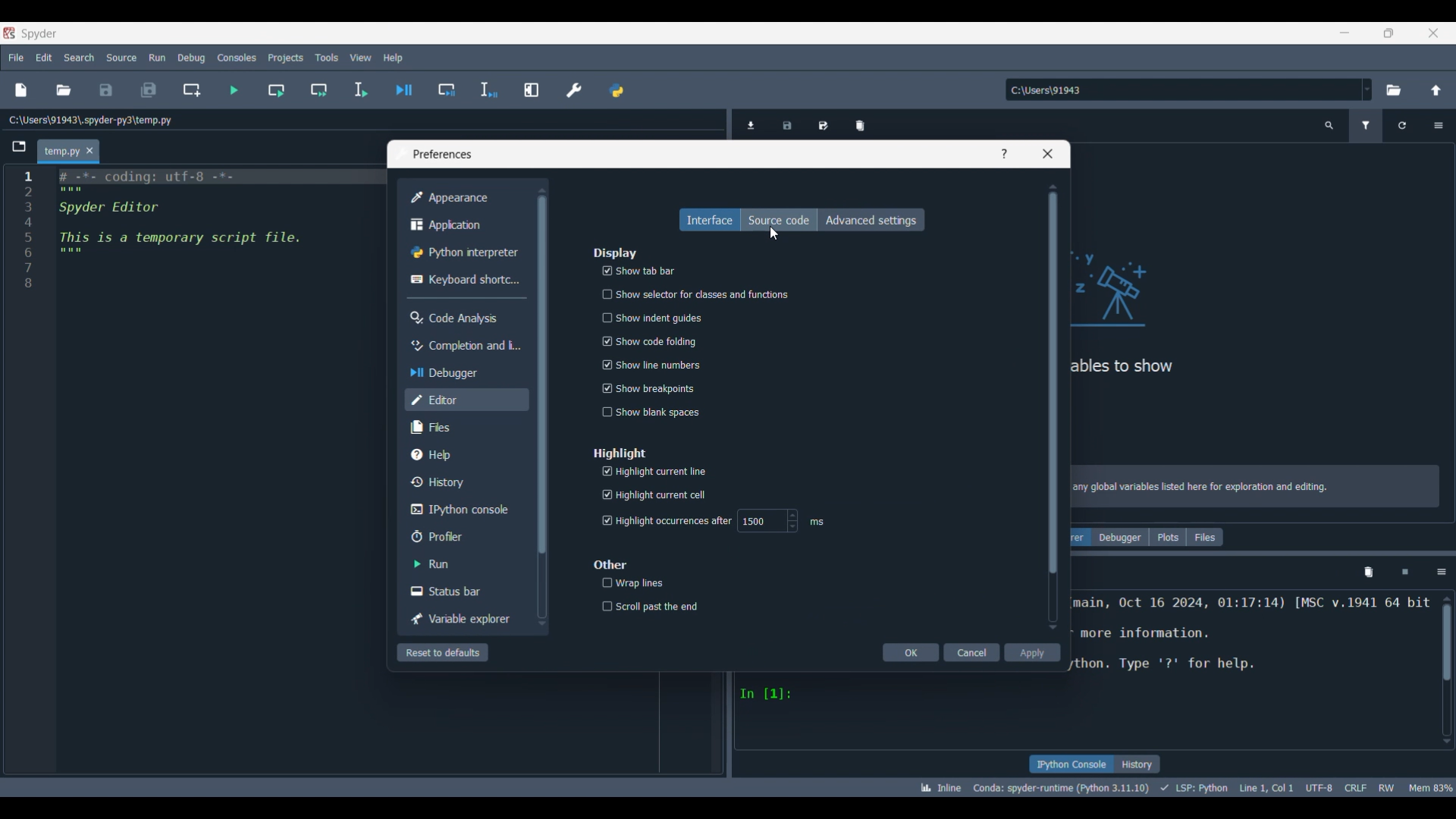 The width and height of the screenshot is (1456, 819). I want to click on Close, so click(1048, 154).